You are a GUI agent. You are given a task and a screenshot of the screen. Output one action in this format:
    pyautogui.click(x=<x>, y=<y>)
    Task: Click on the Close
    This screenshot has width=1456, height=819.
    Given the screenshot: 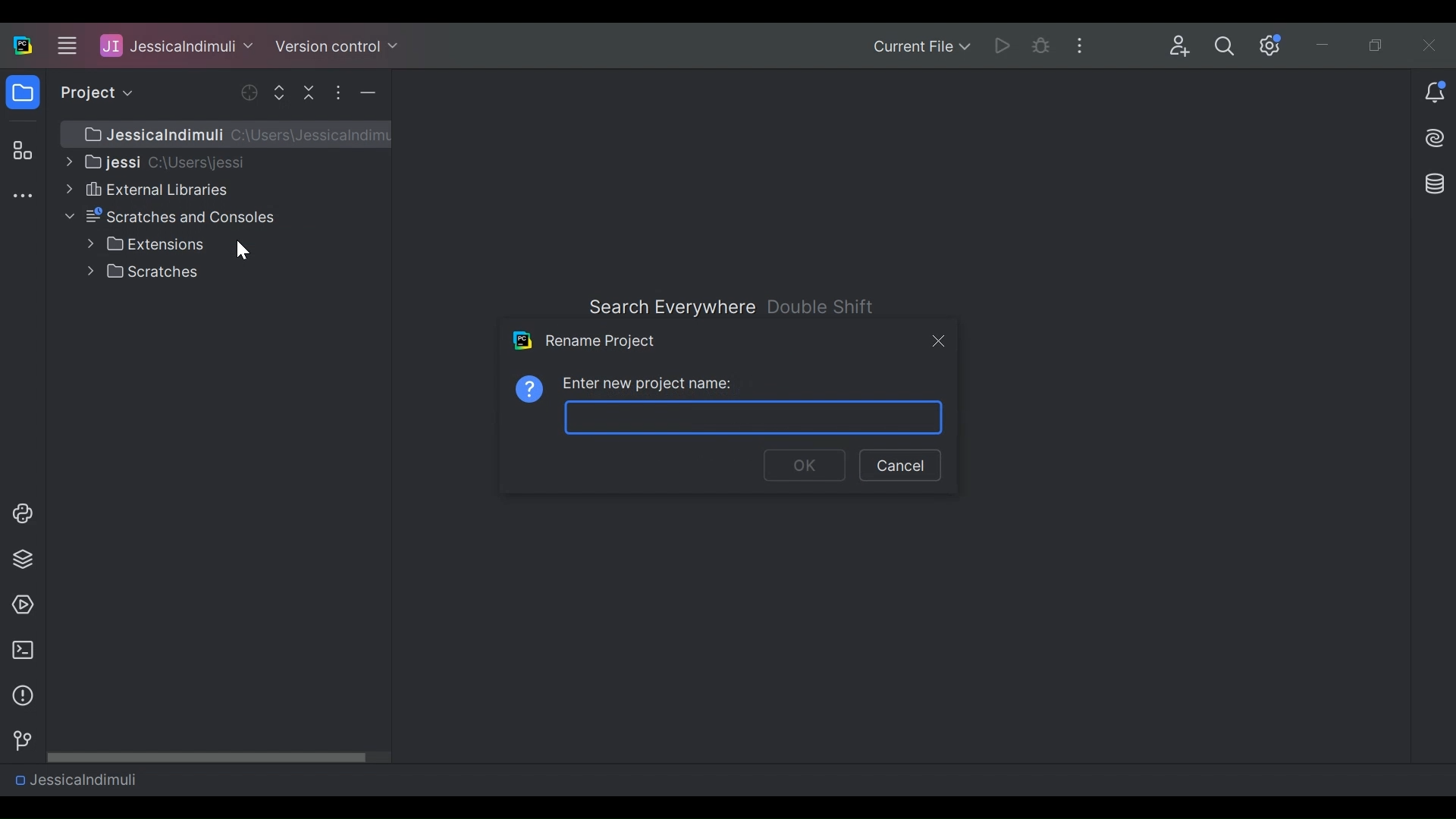 What is the action you would take?
    pyautogui.click(x=937, y=338)
    